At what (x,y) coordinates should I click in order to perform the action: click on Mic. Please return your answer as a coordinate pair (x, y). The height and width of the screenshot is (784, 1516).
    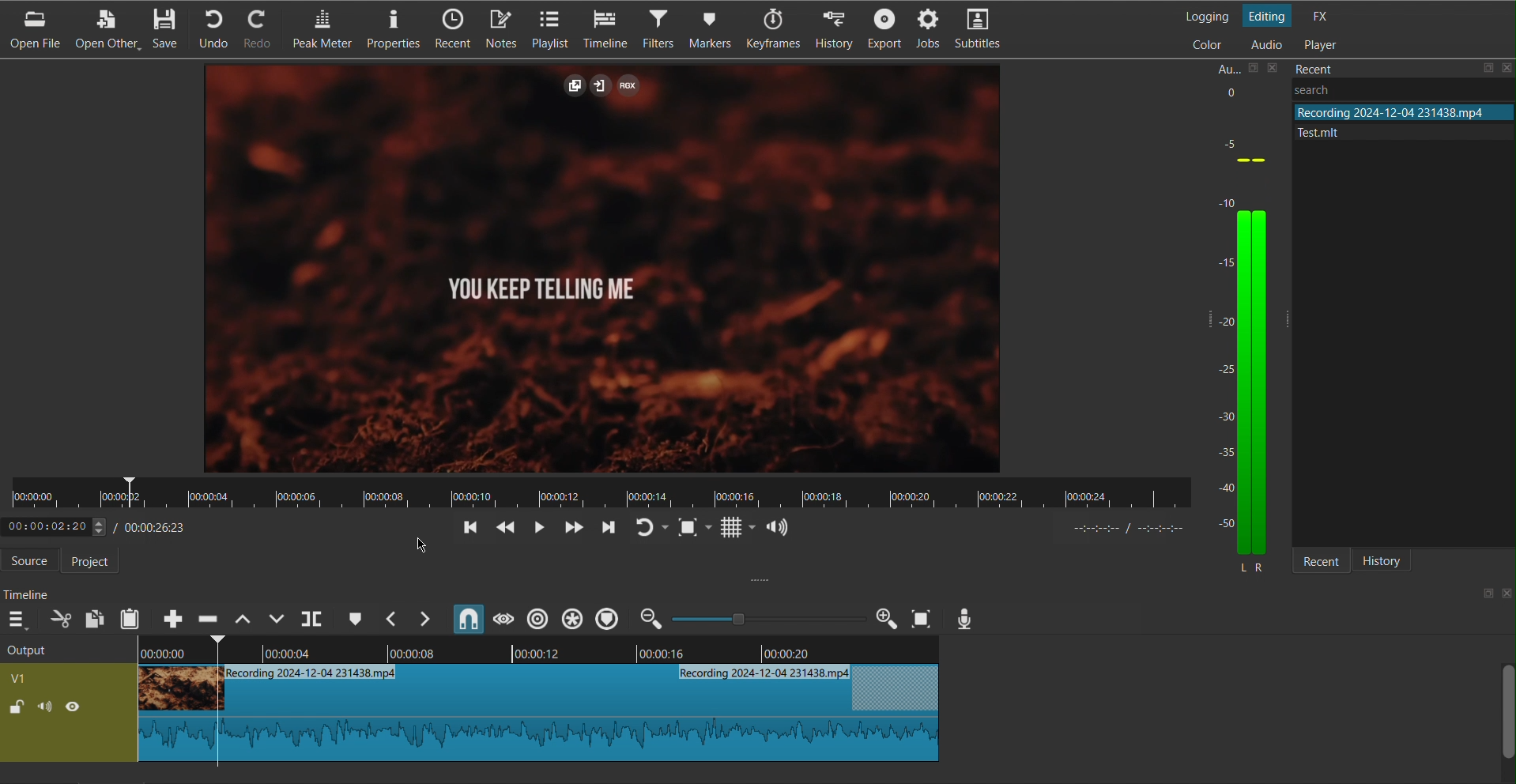
    Looking at the image, I should click on (965, 618).